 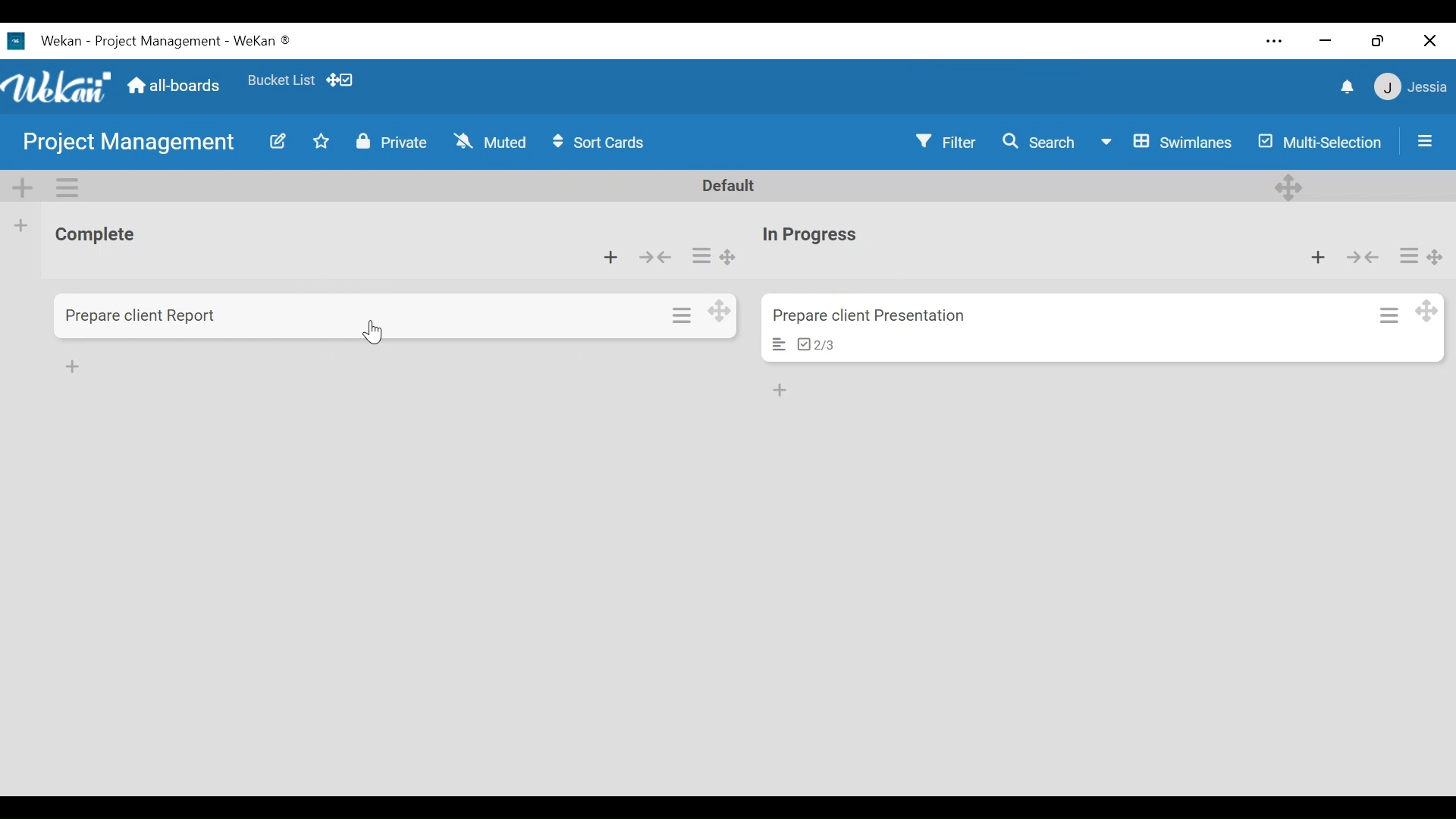 I want to click on Checklist, so click(x=816, y=344).